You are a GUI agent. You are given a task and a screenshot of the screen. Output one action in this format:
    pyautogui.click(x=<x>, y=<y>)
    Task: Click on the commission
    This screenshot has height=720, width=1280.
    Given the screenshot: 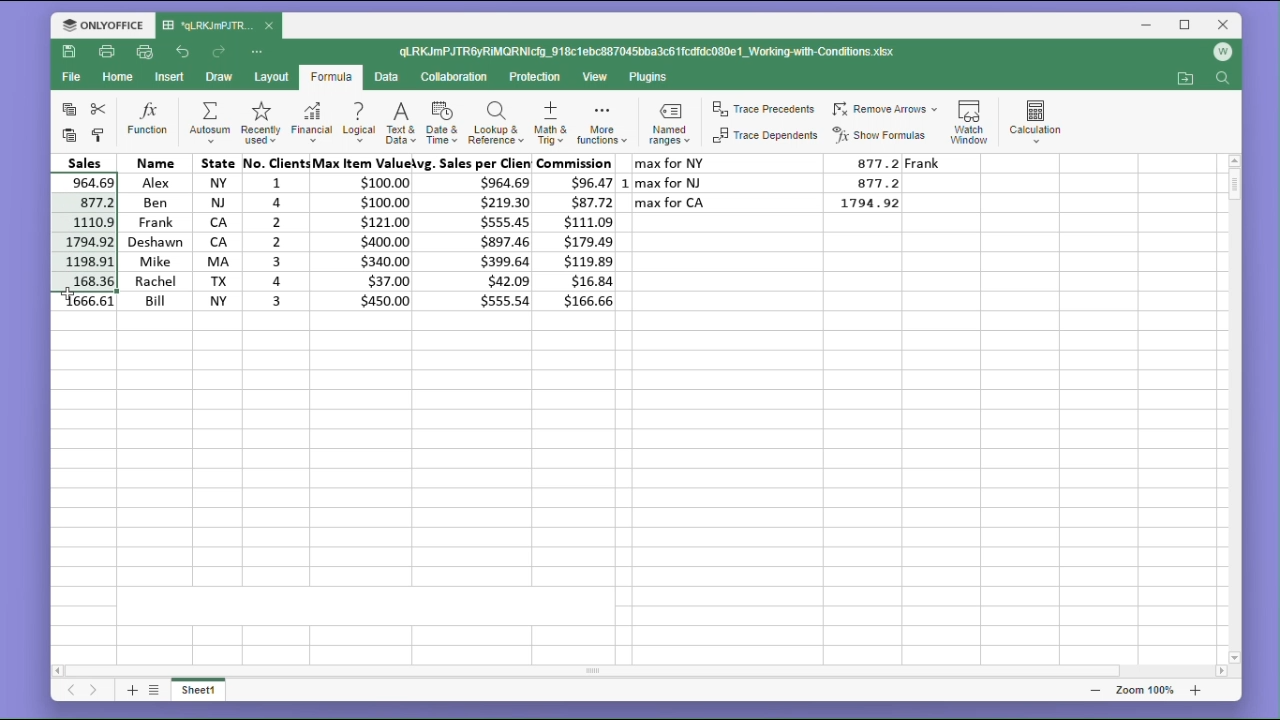 What is the action you would take?
    pyautogui.click(x=580, y=233)
    